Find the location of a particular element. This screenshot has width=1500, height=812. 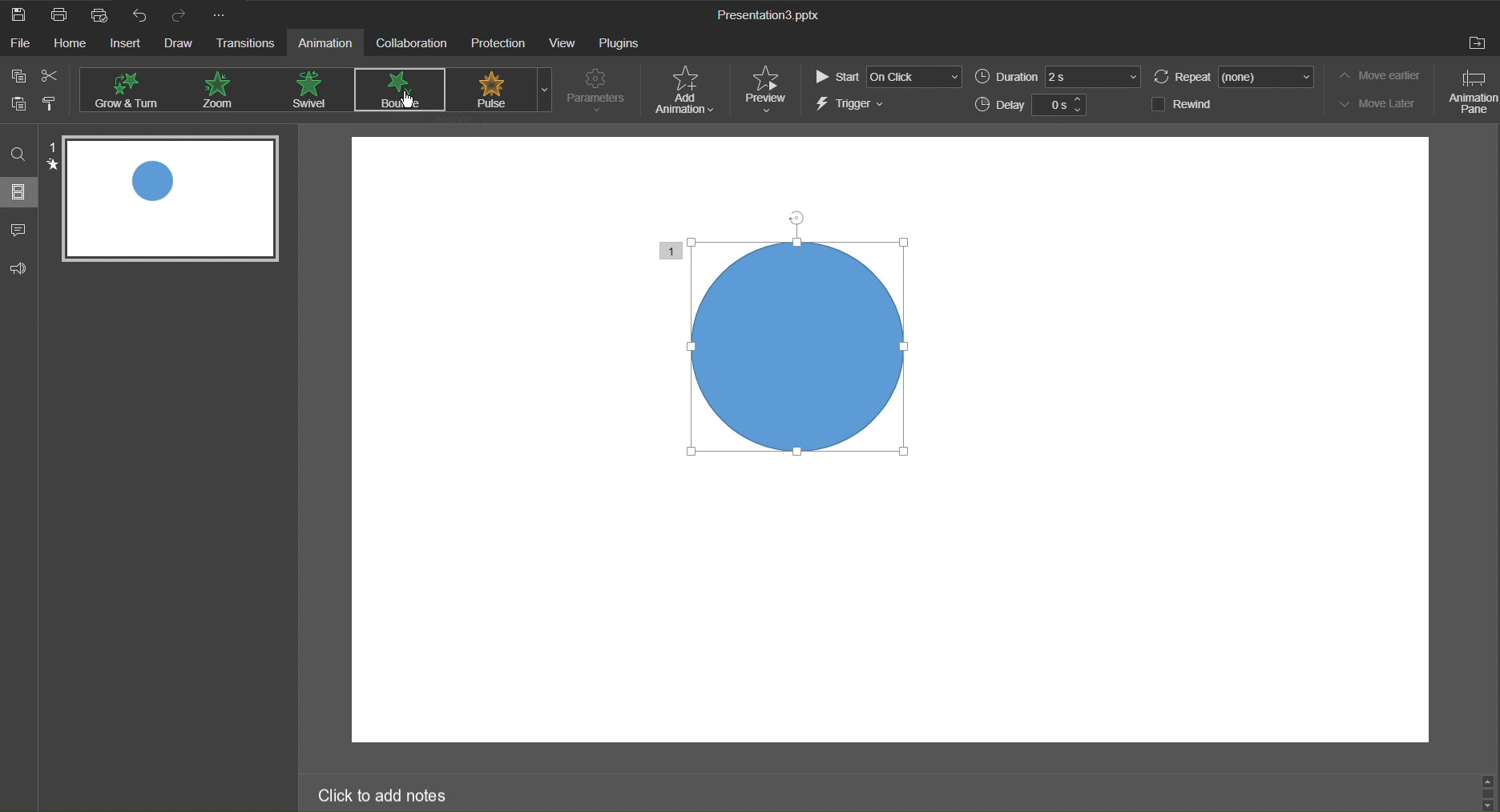

Animations is located at coordinates (222, 90).